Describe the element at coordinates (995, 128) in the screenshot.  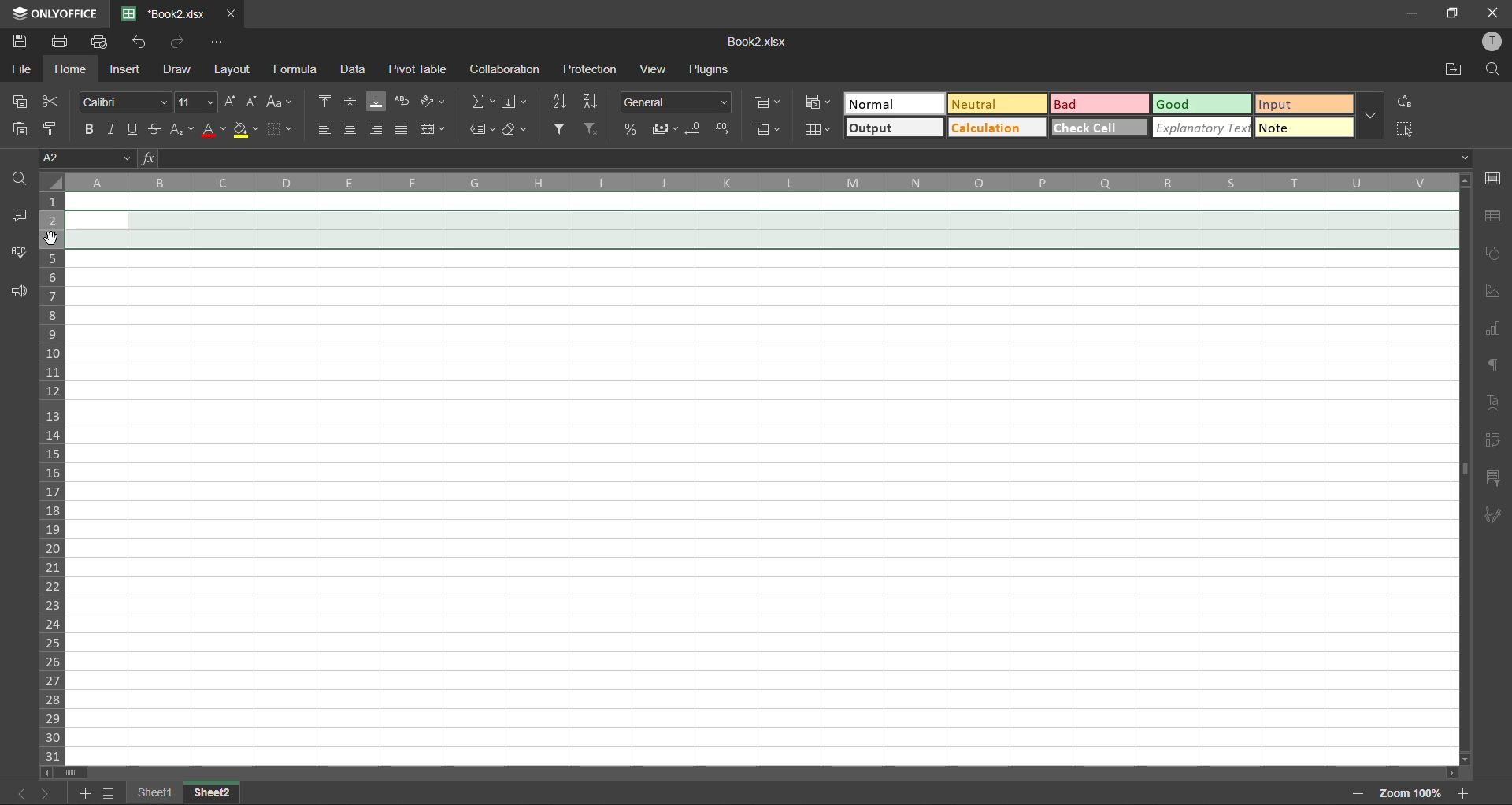
I see `calculation` at that location.